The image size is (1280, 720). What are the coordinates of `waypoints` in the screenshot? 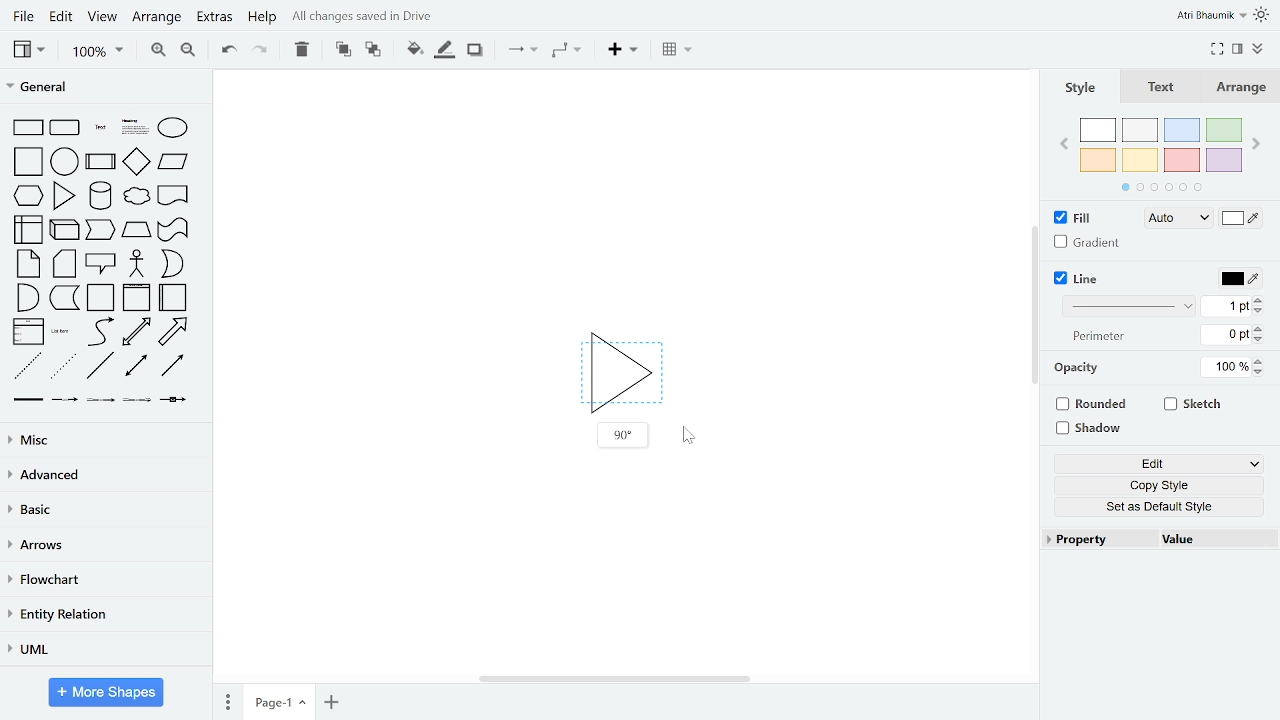 It's located at (565, 52).